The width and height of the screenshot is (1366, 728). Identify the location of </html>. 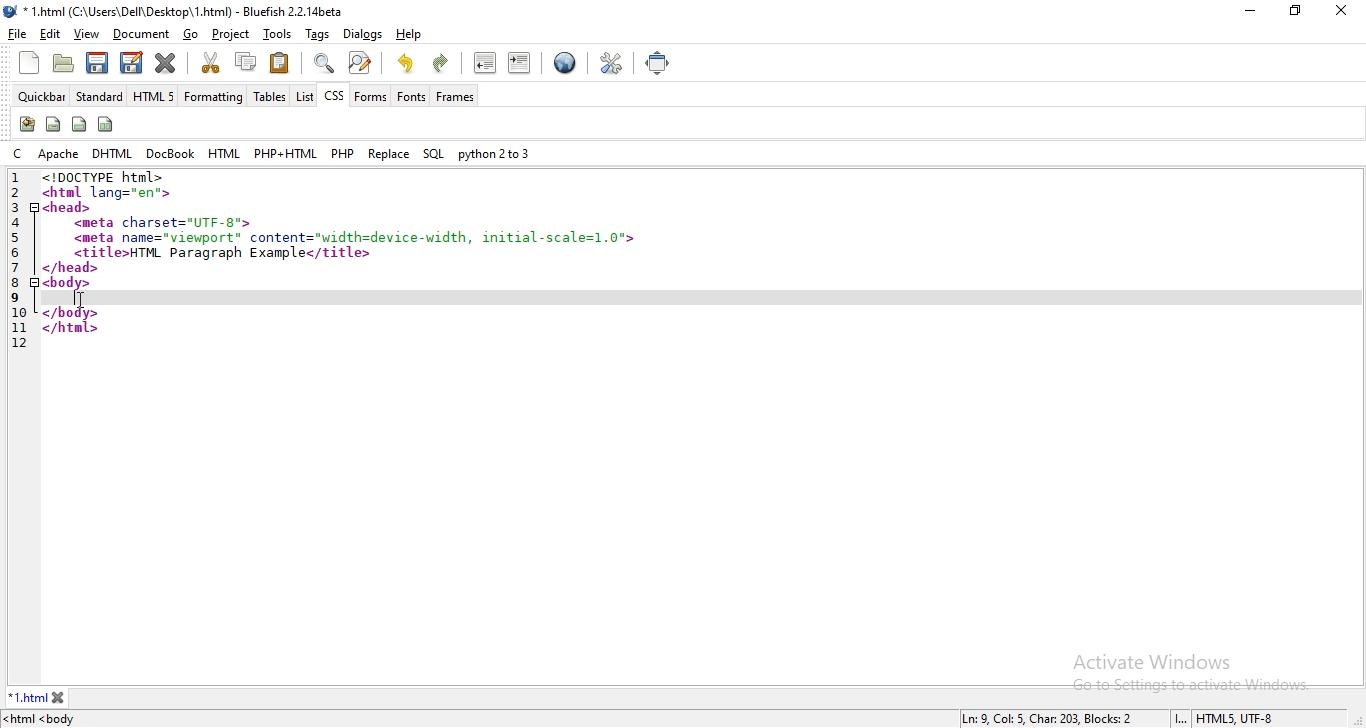
(70, 329).